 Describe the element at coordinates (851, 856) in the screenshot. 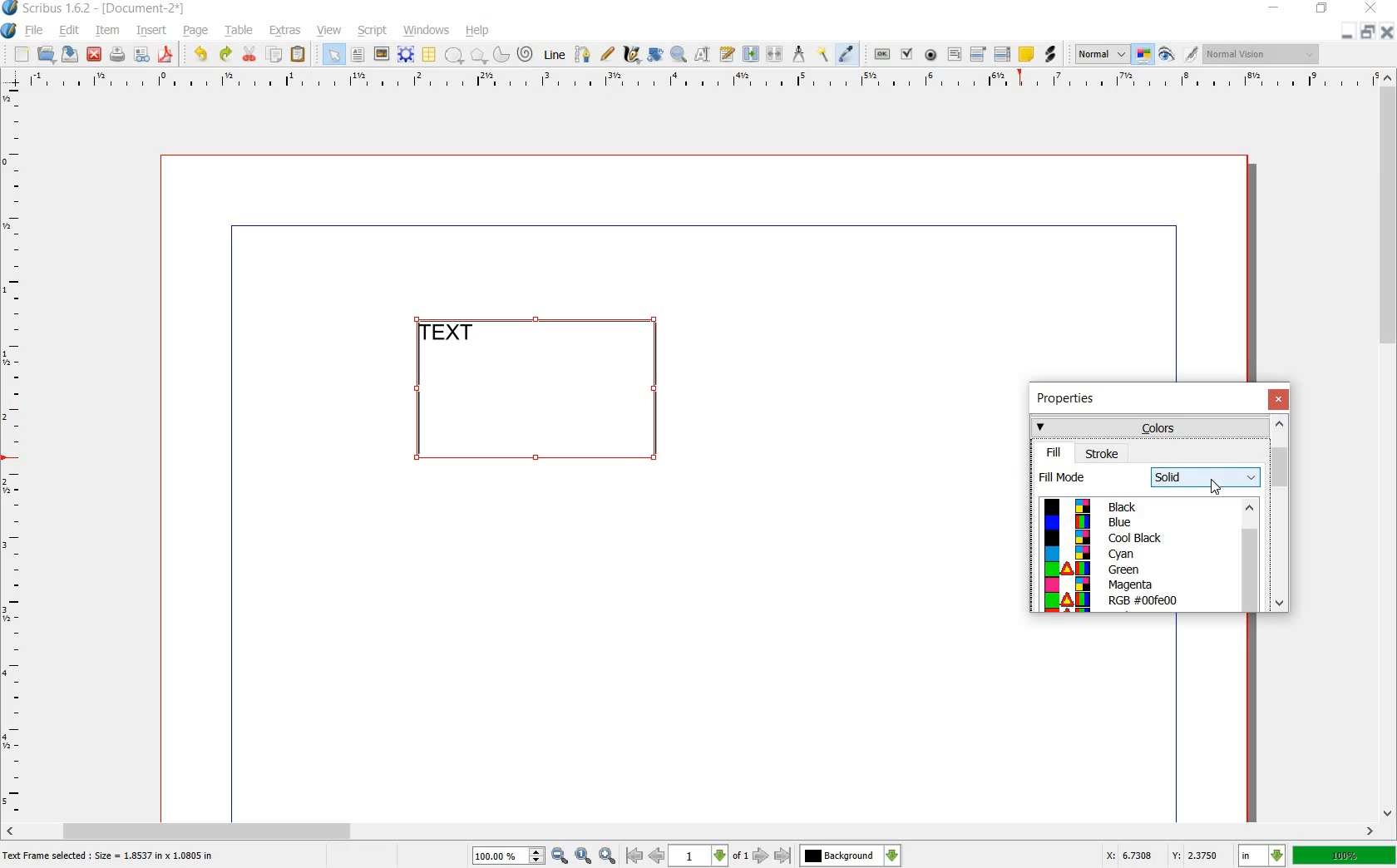

I see `Background` at that location.